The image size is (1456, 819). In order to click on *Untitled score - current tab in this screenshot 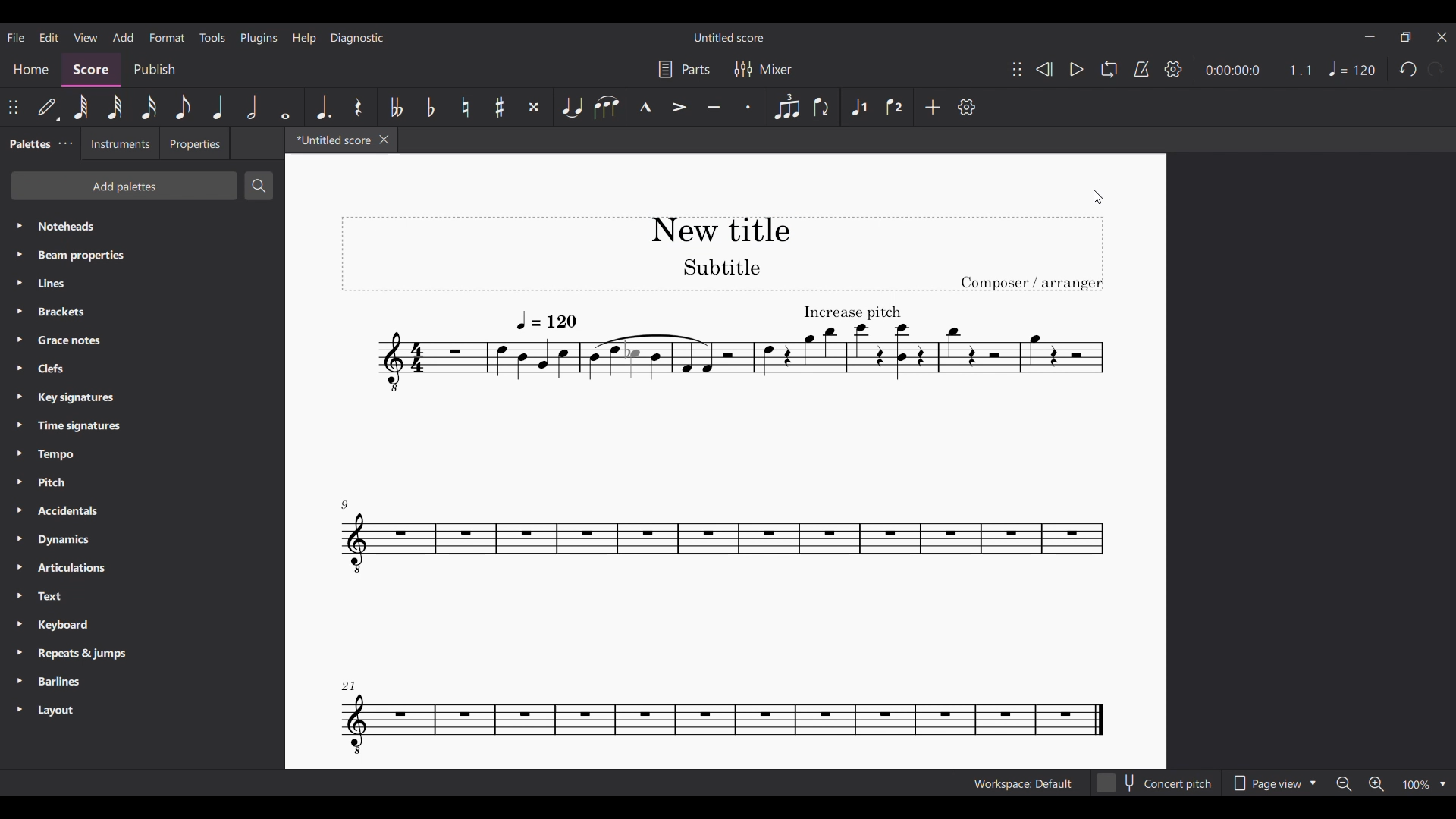, I will do `click(330, 140)`.